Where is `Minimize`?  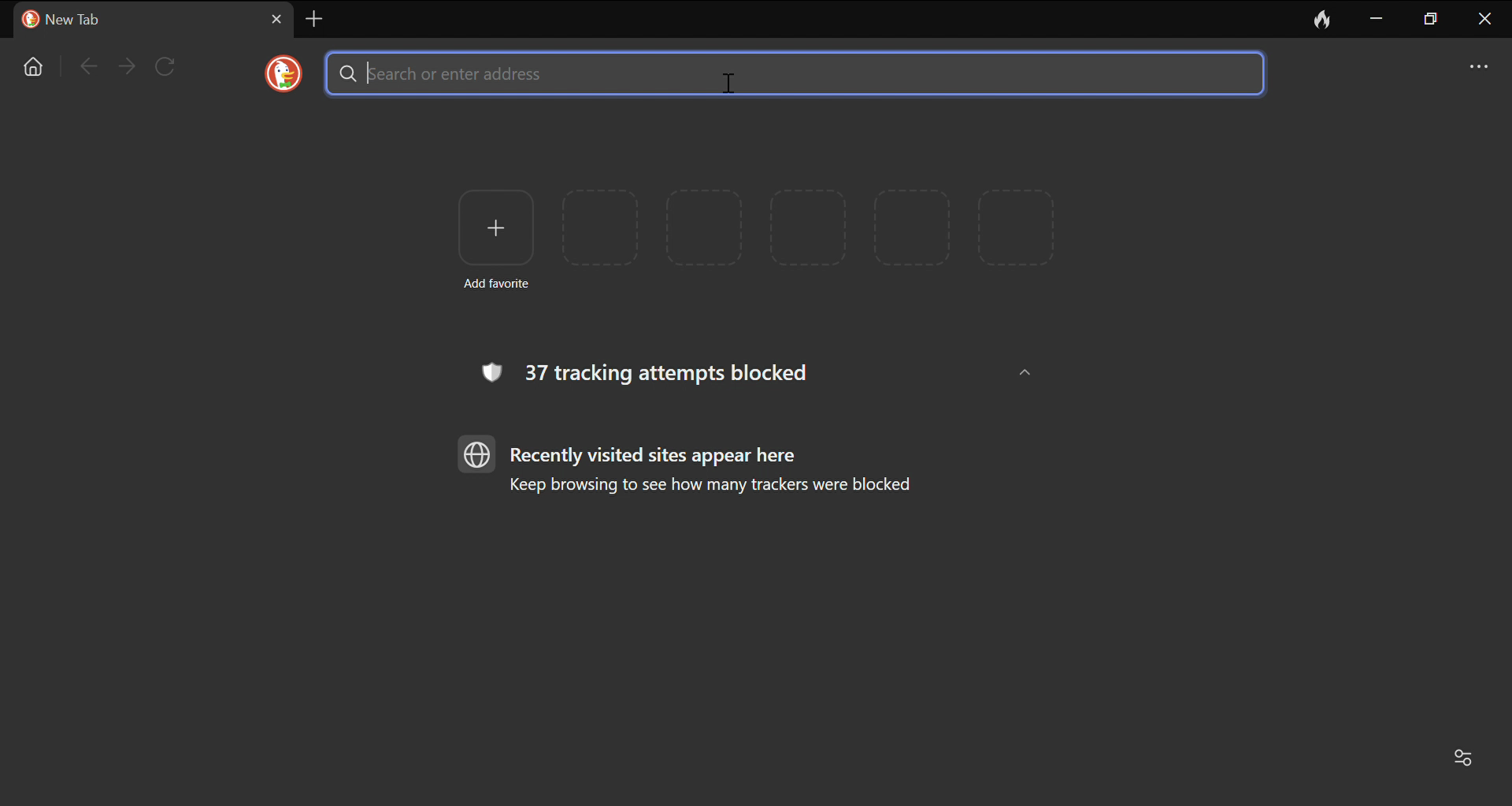
Minimize is located at coordinates (1377, 17).